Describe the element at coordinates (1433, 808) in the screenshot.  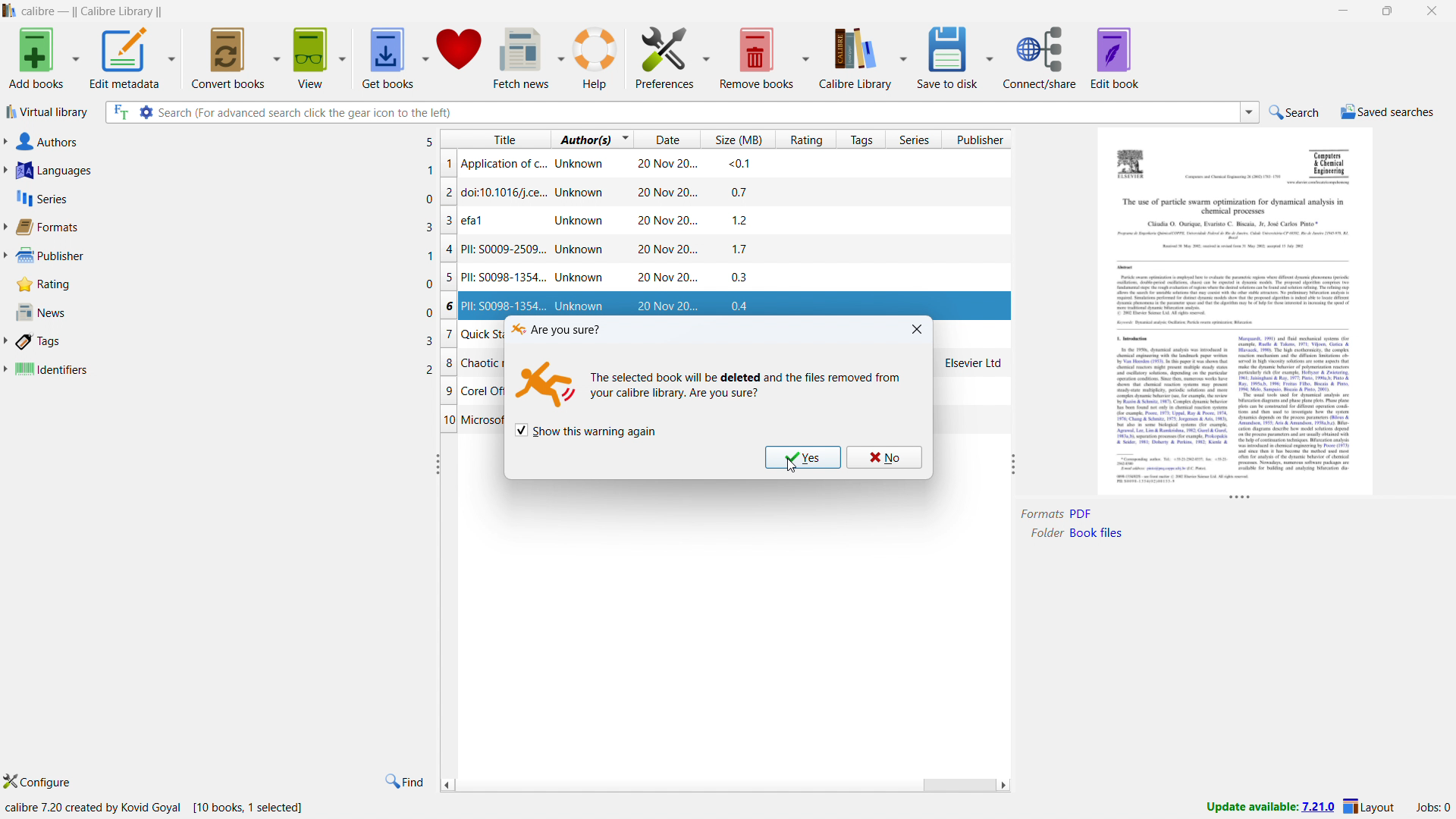
I see `active jobs` at that location.